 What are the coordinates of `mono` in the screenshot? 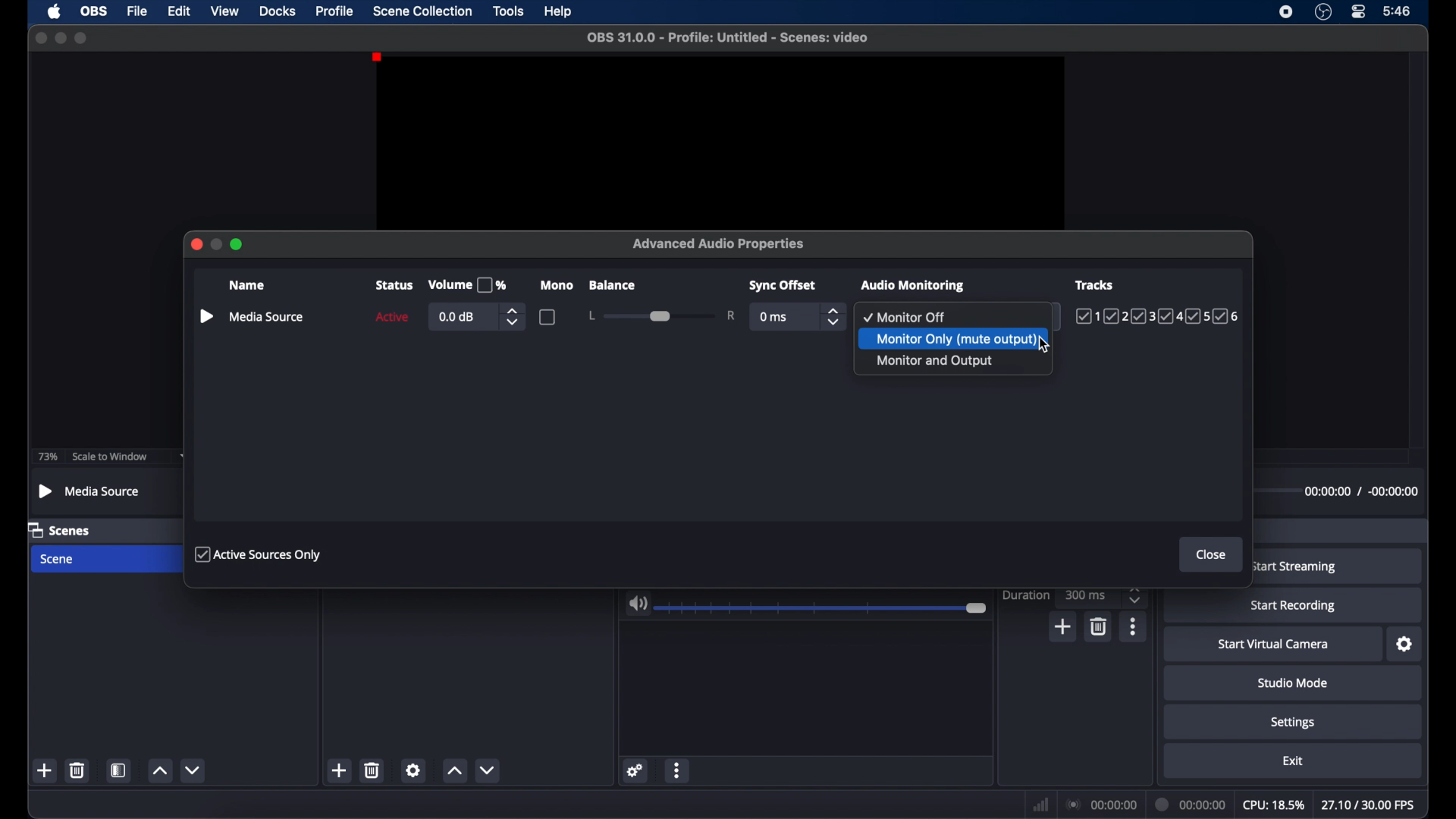 It's located at (558, 285).